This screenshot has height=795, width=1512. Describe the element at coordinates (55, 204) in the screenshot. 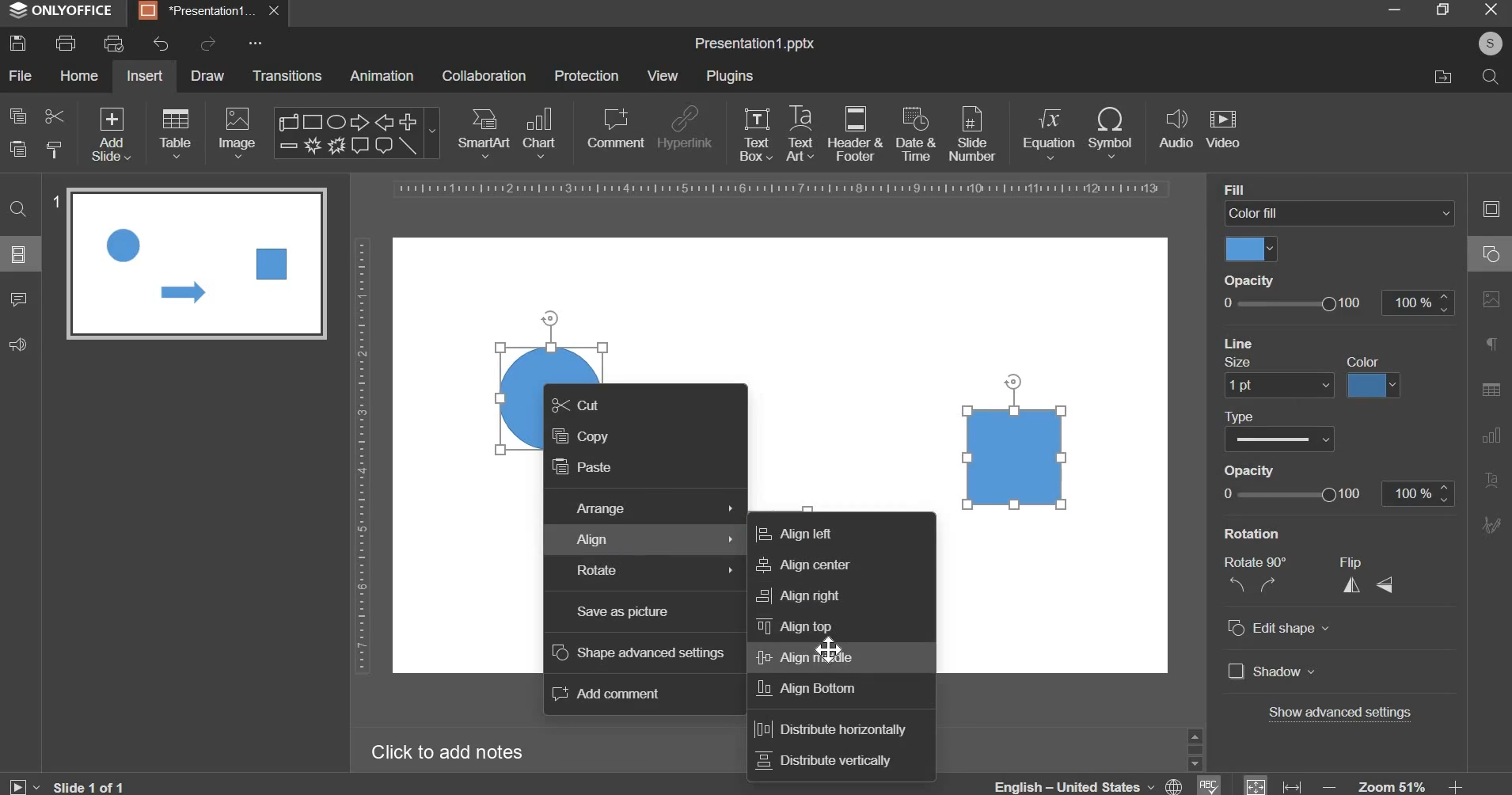

I see `slide number` at that location.